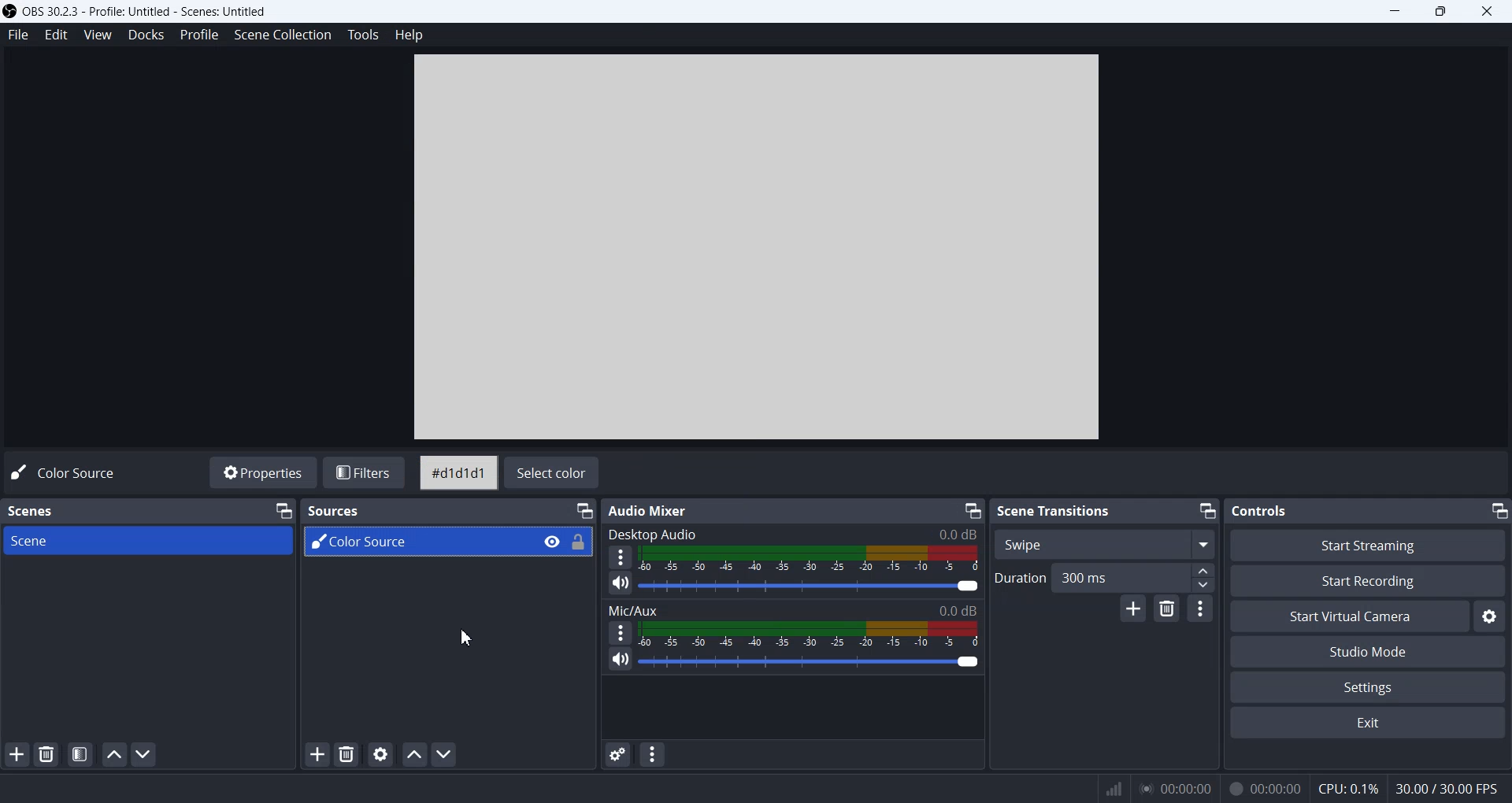 Image resolution: width=1512 pixels, height=803 pixels. Describe the element at coordinates (464, 637) in the screenshot. I see `Cursor` at that location.